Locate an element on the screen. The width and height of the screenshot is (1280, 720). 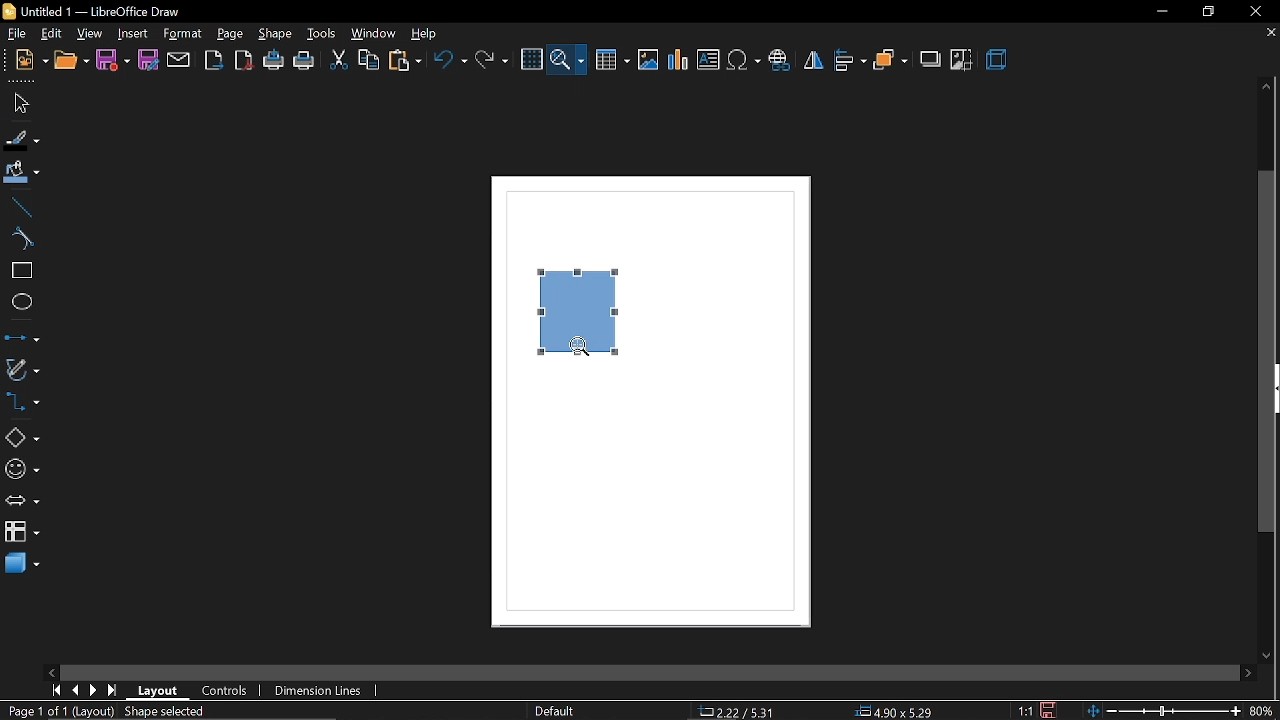
tools is located at coordinates (322, 35).